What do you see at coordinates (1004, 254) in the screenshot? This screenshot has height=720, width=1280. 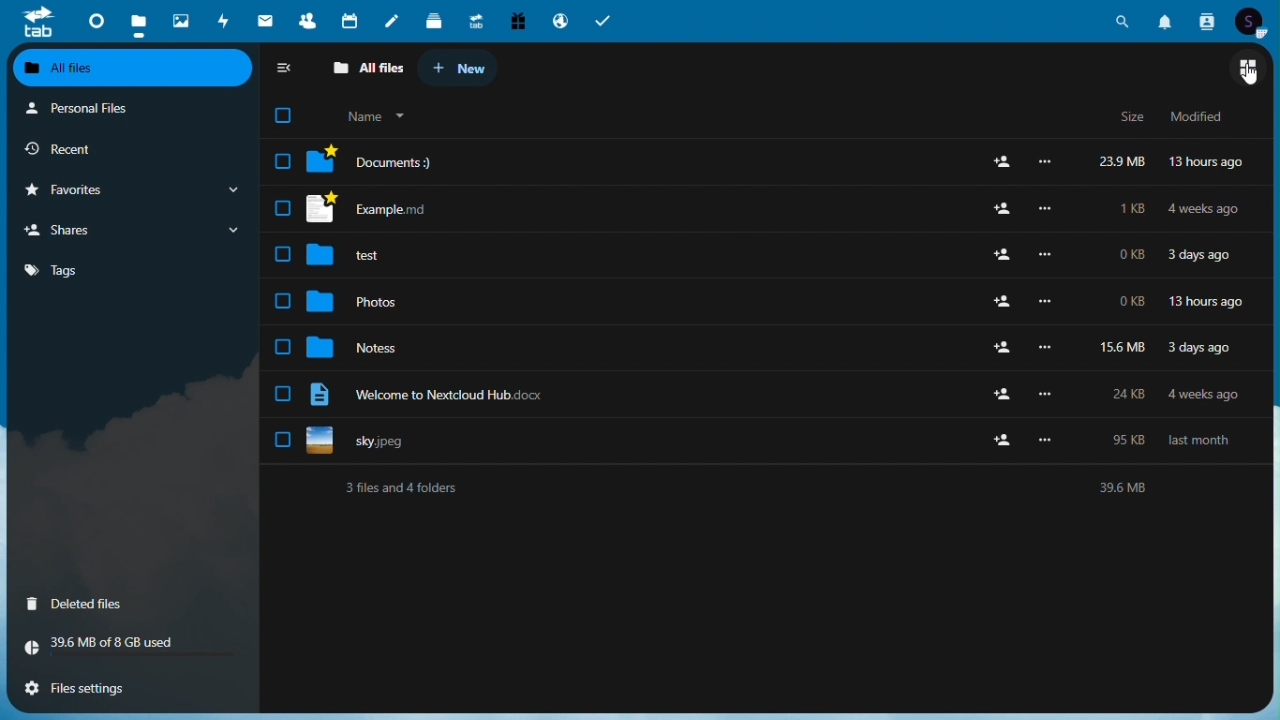 I see `add user` at bounding box center [1004, 254].